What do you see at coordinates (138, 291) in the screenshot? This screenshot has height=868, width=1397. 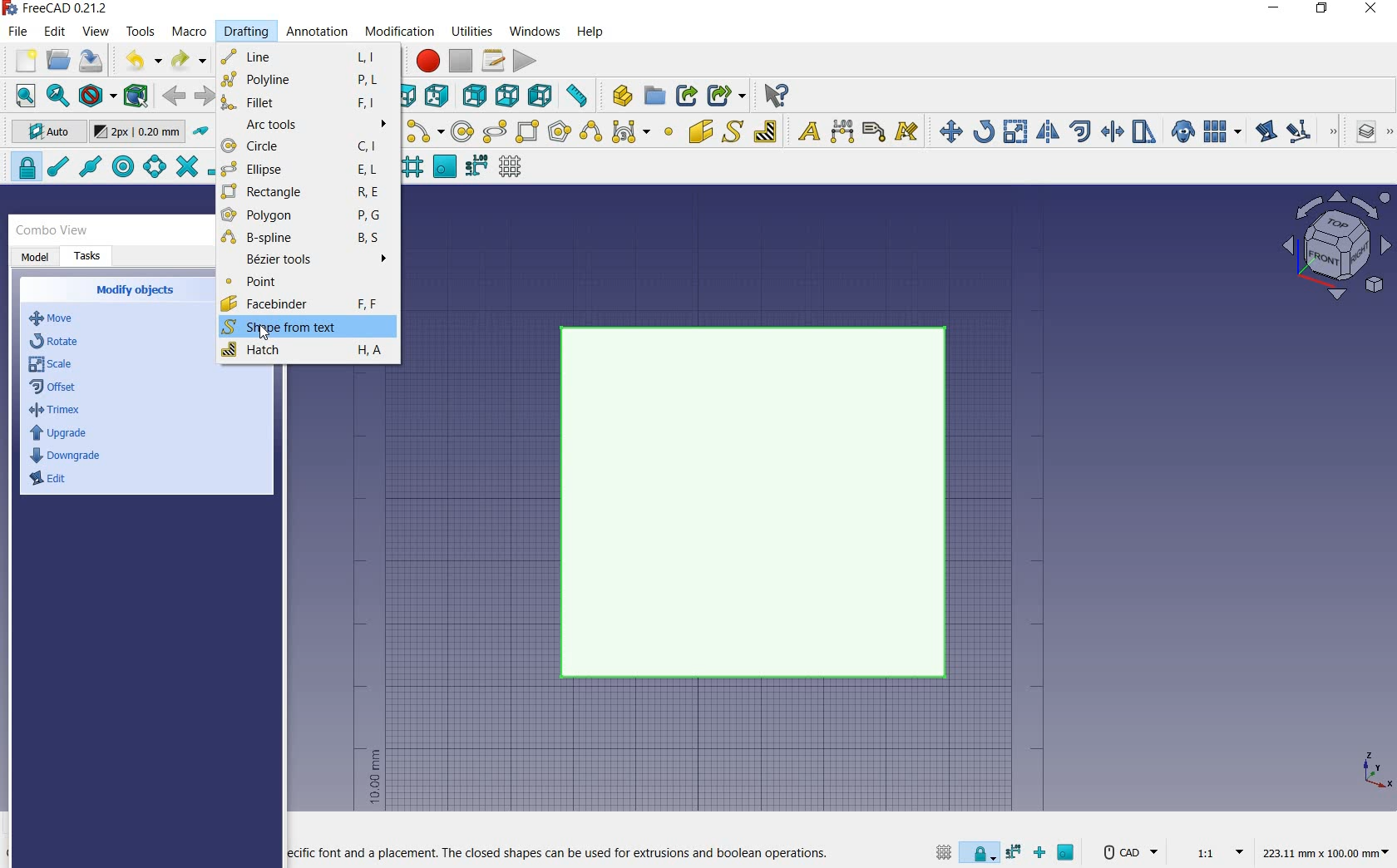 I see `create objects` at bounding box center [138, 291].